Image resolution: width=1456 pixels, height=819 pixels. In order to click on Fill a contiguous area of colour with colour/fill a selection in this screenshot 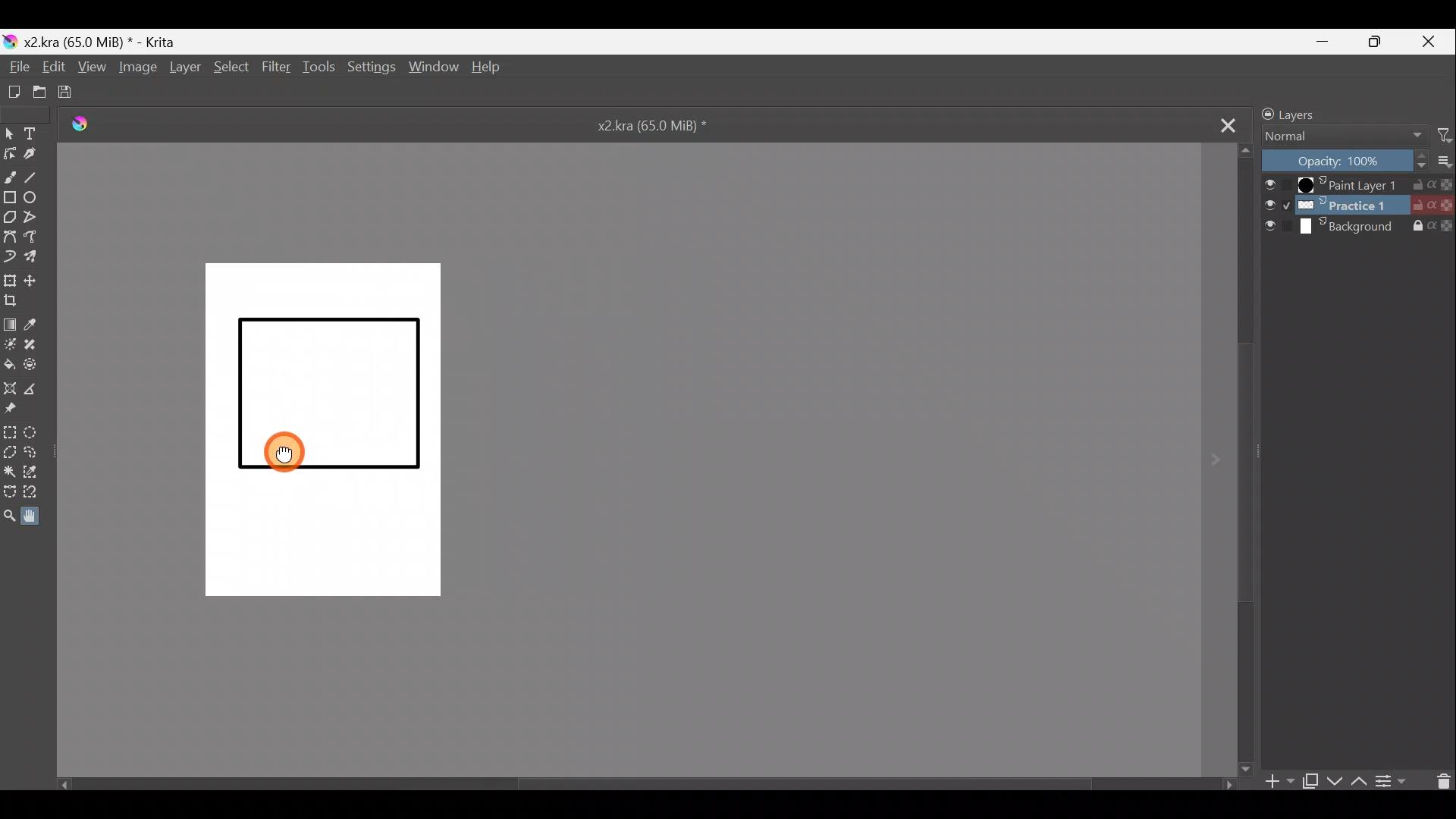, I will do `click(9, 359)`.